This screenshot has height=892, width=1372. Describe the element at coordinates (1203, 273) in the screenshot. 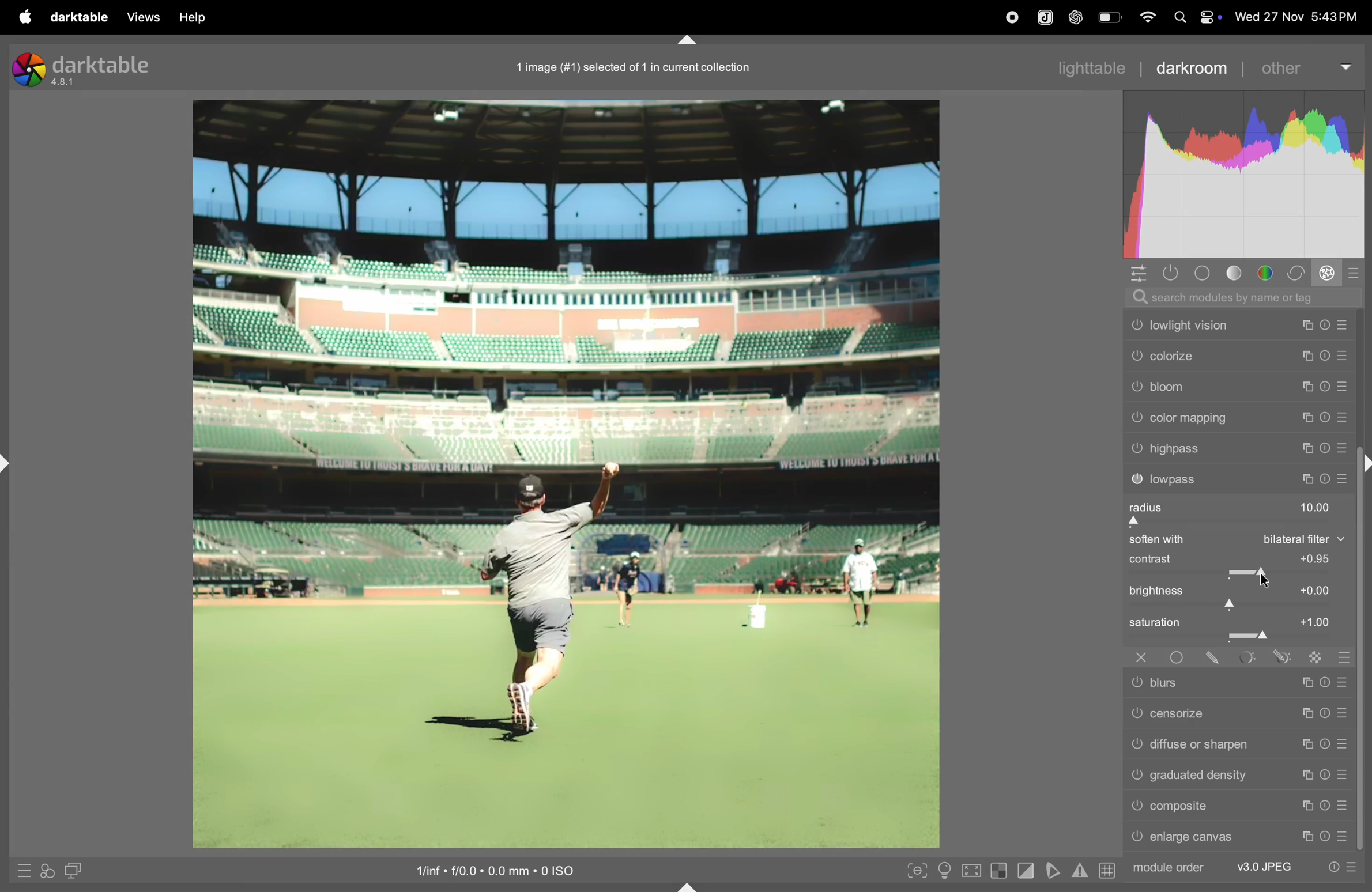

I see `base` at that location.